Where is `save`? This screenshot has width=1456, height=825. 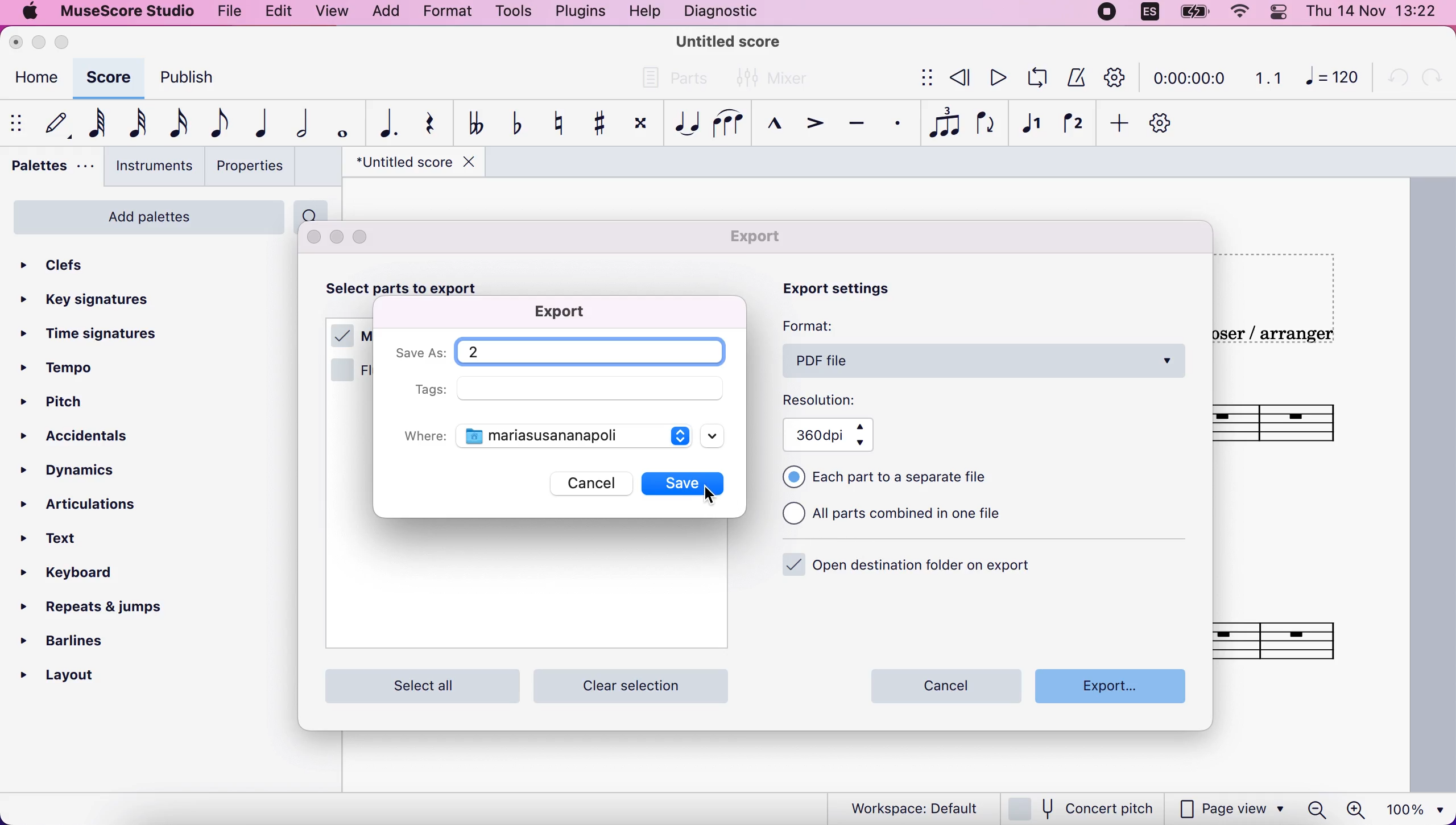
save is located at coordinates (686, 482).